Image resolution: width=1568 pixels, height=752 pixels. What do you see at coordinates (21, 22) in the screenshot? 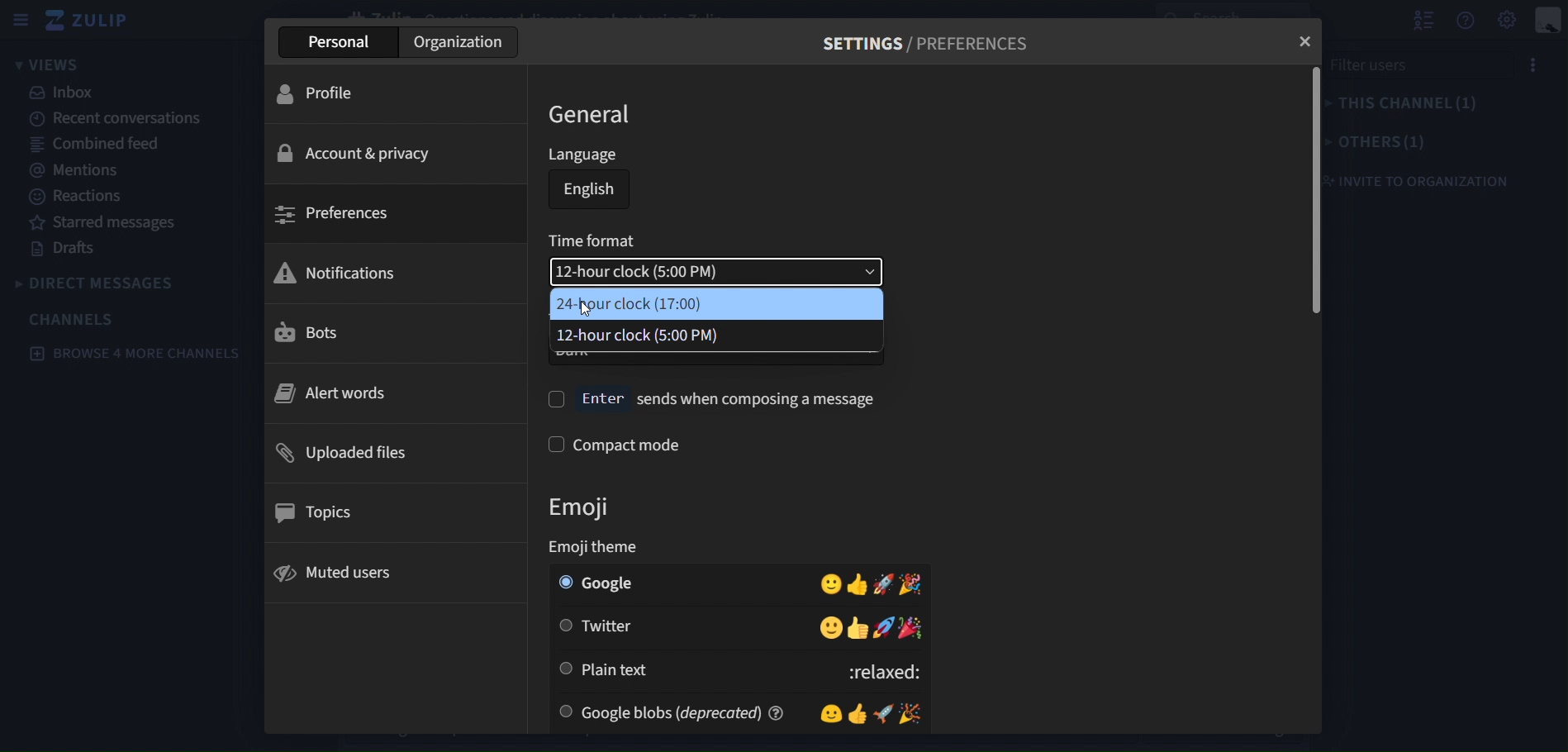
I see `sidebar` at bounding box center [21, 22].